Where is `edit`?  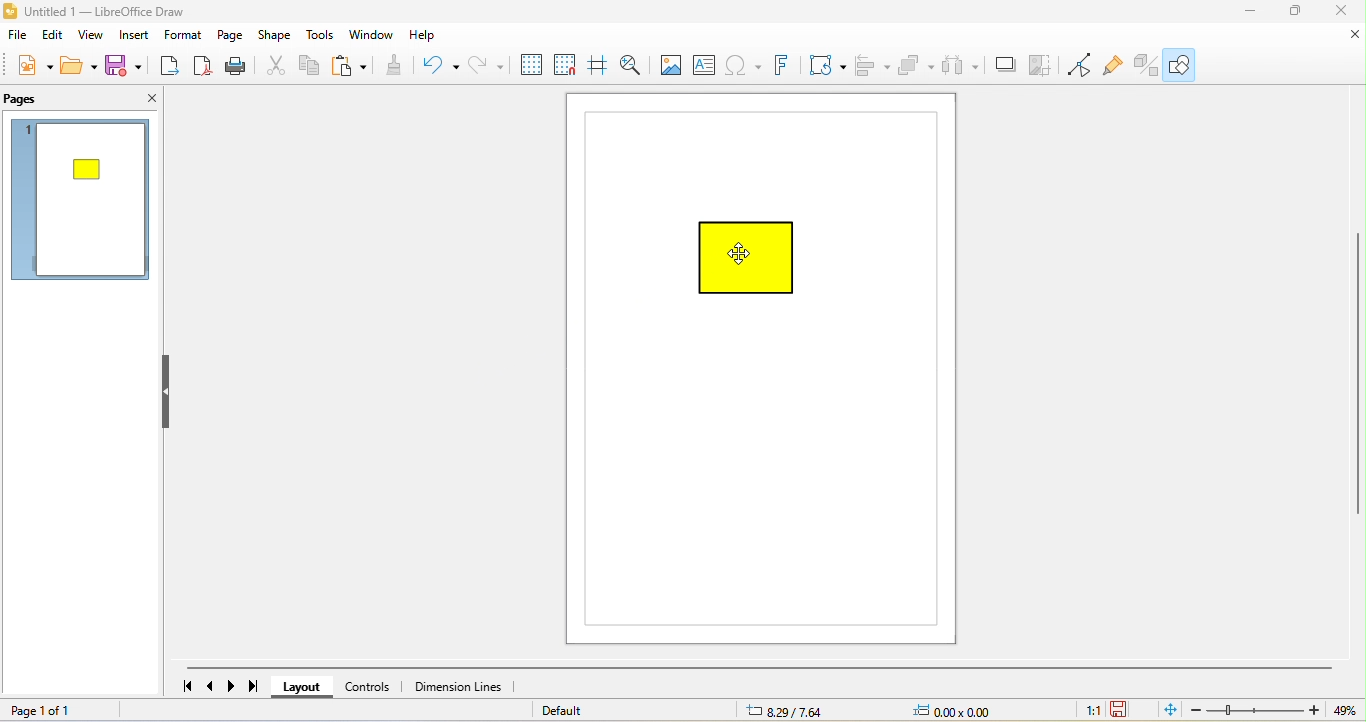
edit is located at coordinates (54, 36).